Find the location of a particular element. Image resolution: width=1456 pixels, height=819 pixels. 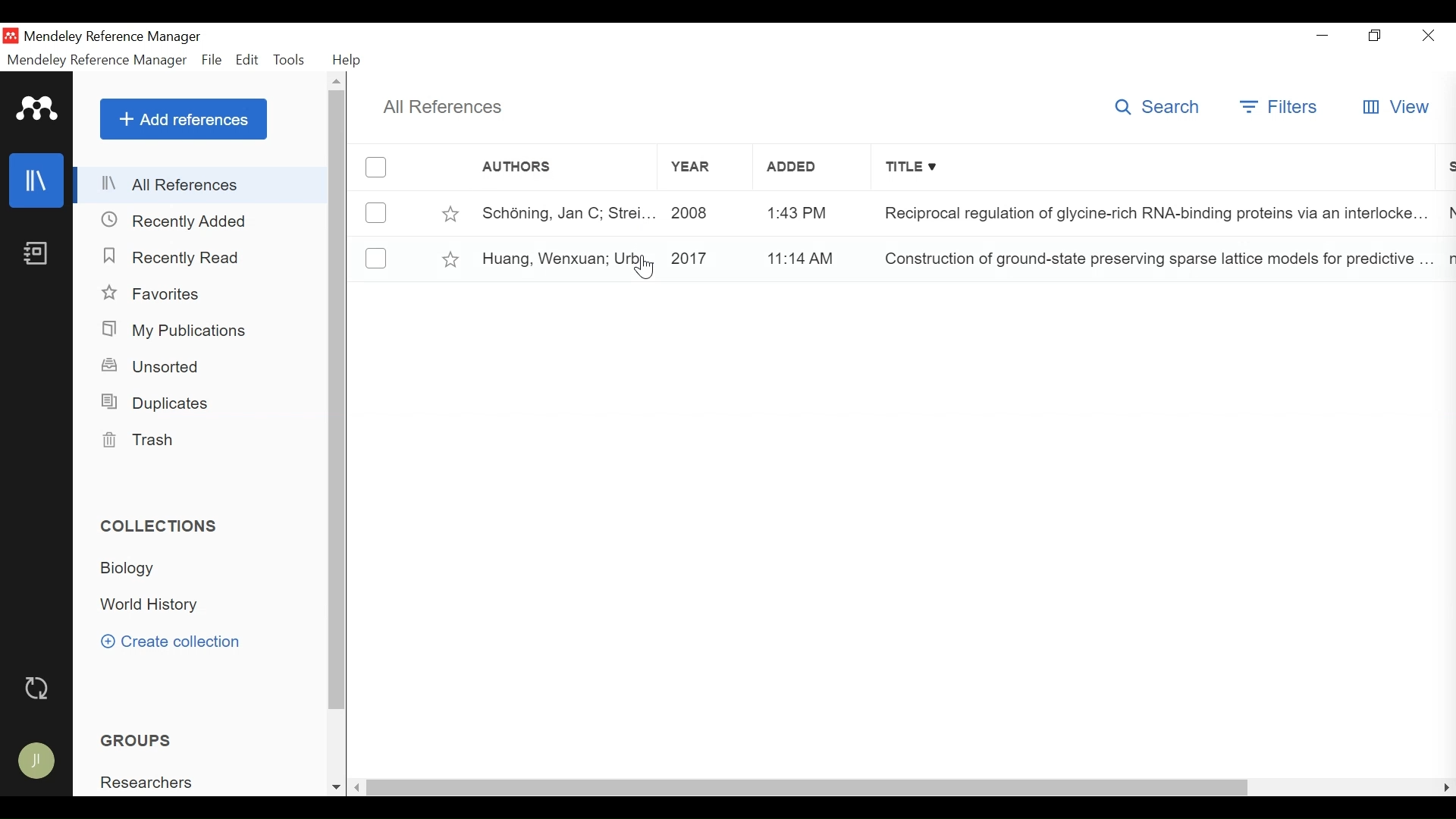

Edit is located at coordinates (247, 60).